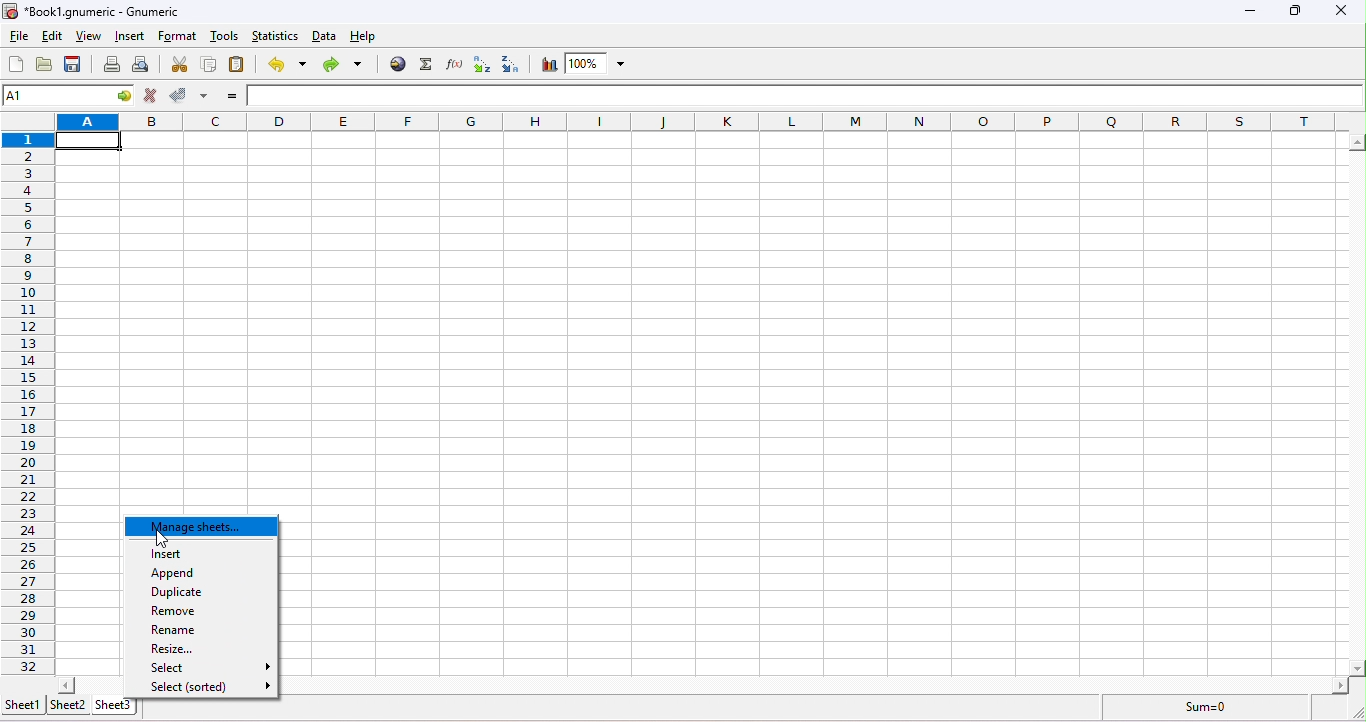 The height and width of the screenshot is (722, 1366). What do you see at coordinates (705, 121) in the screenshot?
I see `column headings` at bounding box center [705, 121].